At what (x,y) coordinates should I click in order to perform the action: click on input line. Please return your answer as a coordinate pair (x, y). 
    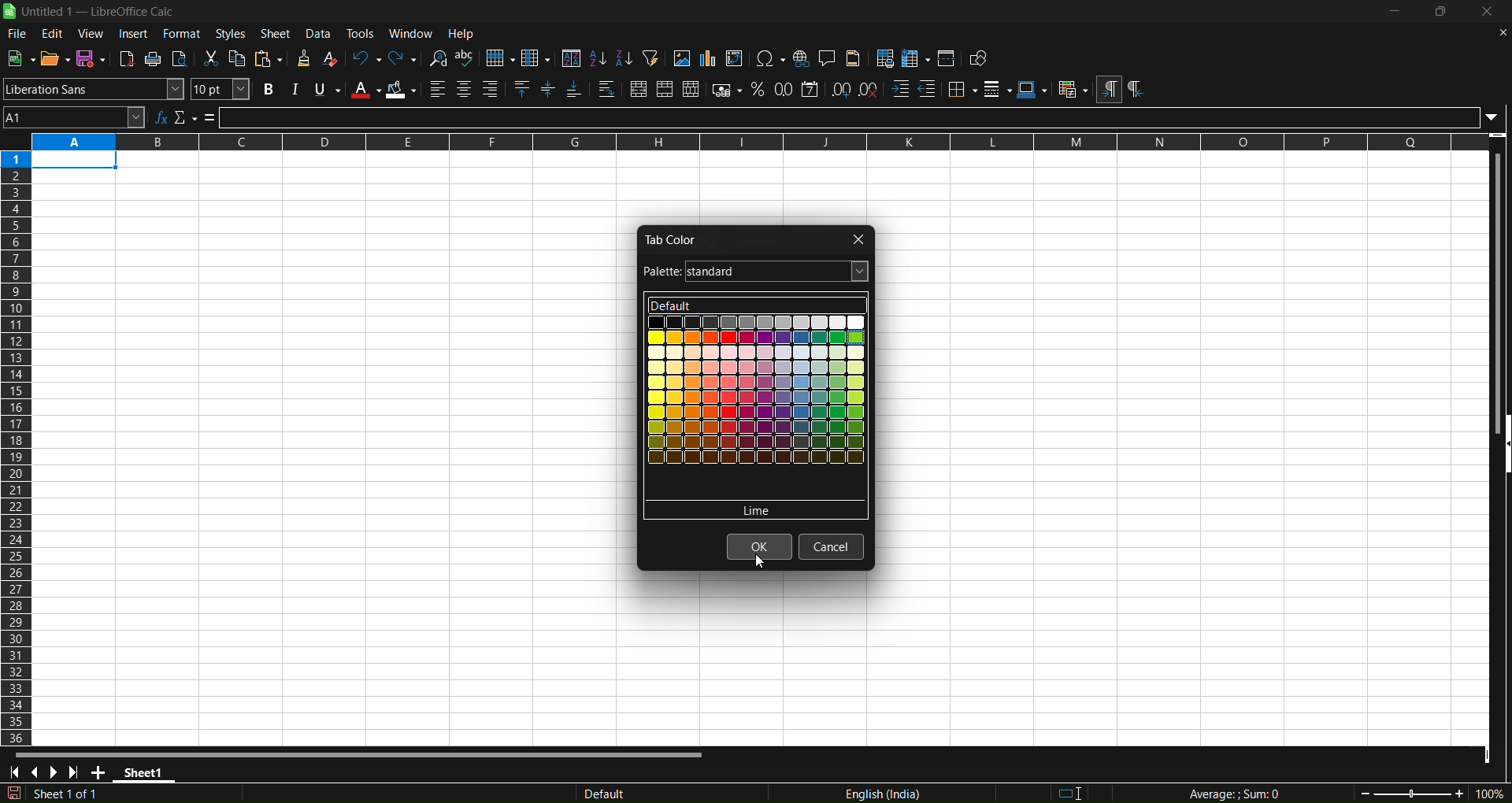
    Looking at the image, I should click on (862, 117).